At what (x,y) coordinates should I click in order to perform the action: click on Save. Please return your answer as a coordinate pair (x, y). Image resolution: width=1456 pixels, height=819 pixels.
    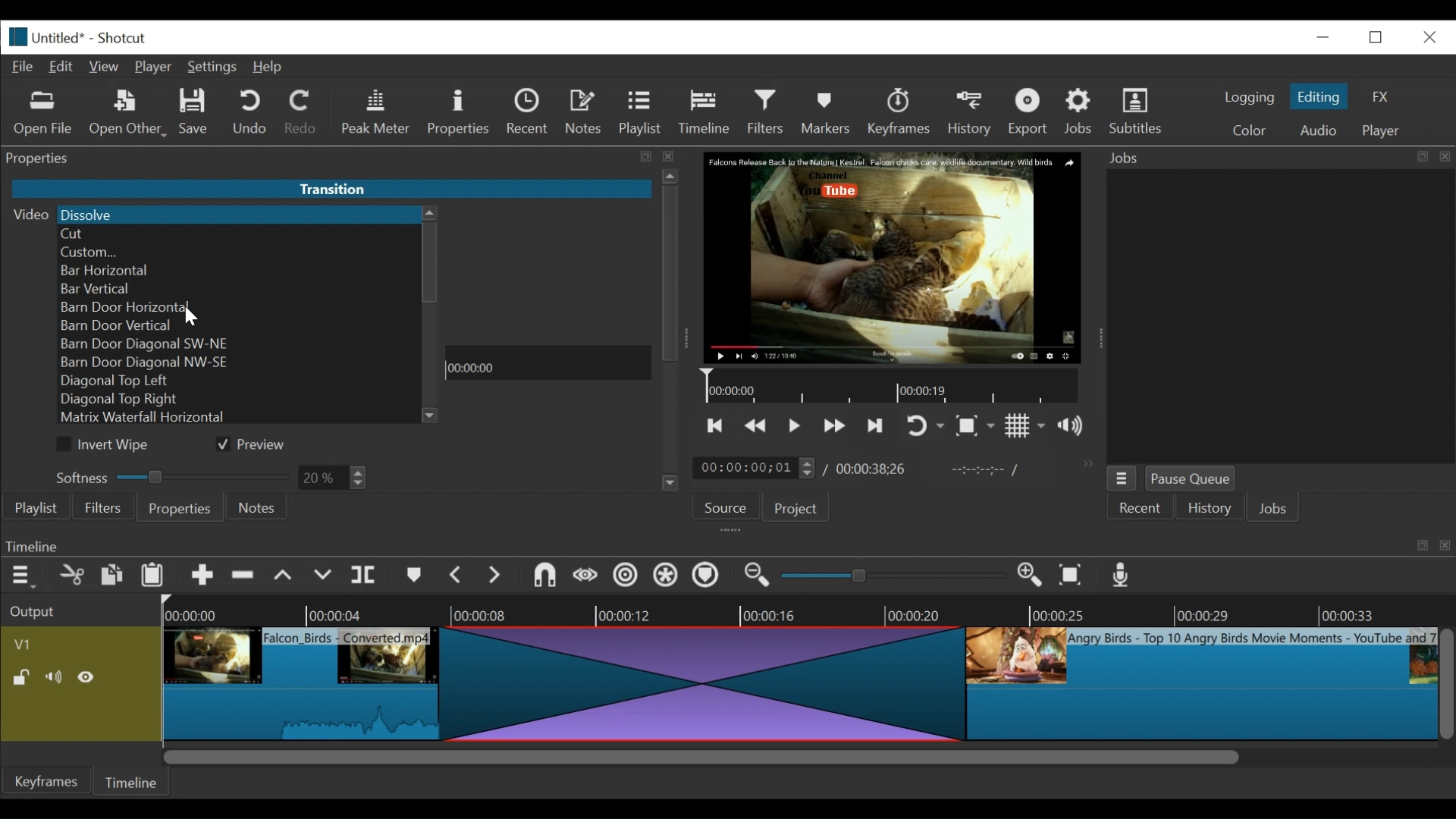
    Looking at the image, I should click on (194, 114).